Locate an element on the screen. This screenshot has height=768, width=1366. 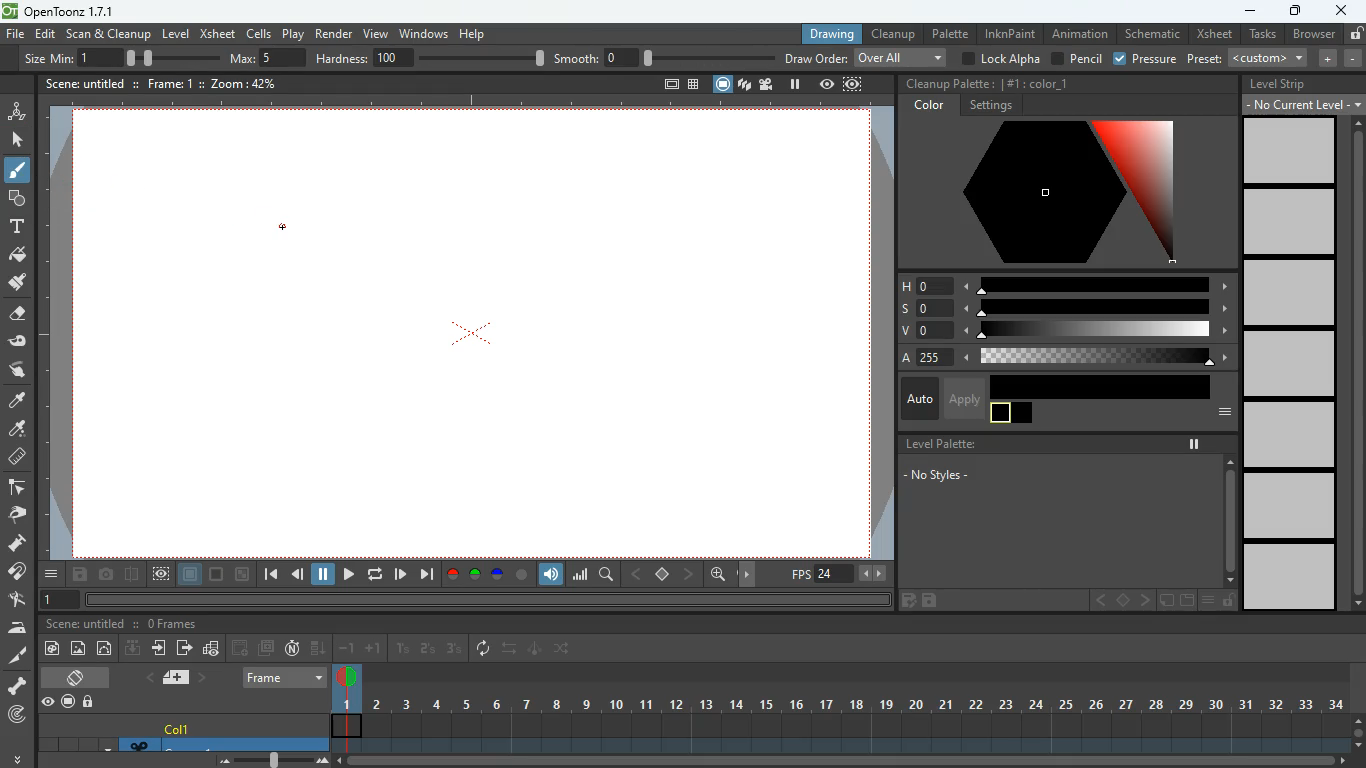
begin is located at coordinates (270, 576).